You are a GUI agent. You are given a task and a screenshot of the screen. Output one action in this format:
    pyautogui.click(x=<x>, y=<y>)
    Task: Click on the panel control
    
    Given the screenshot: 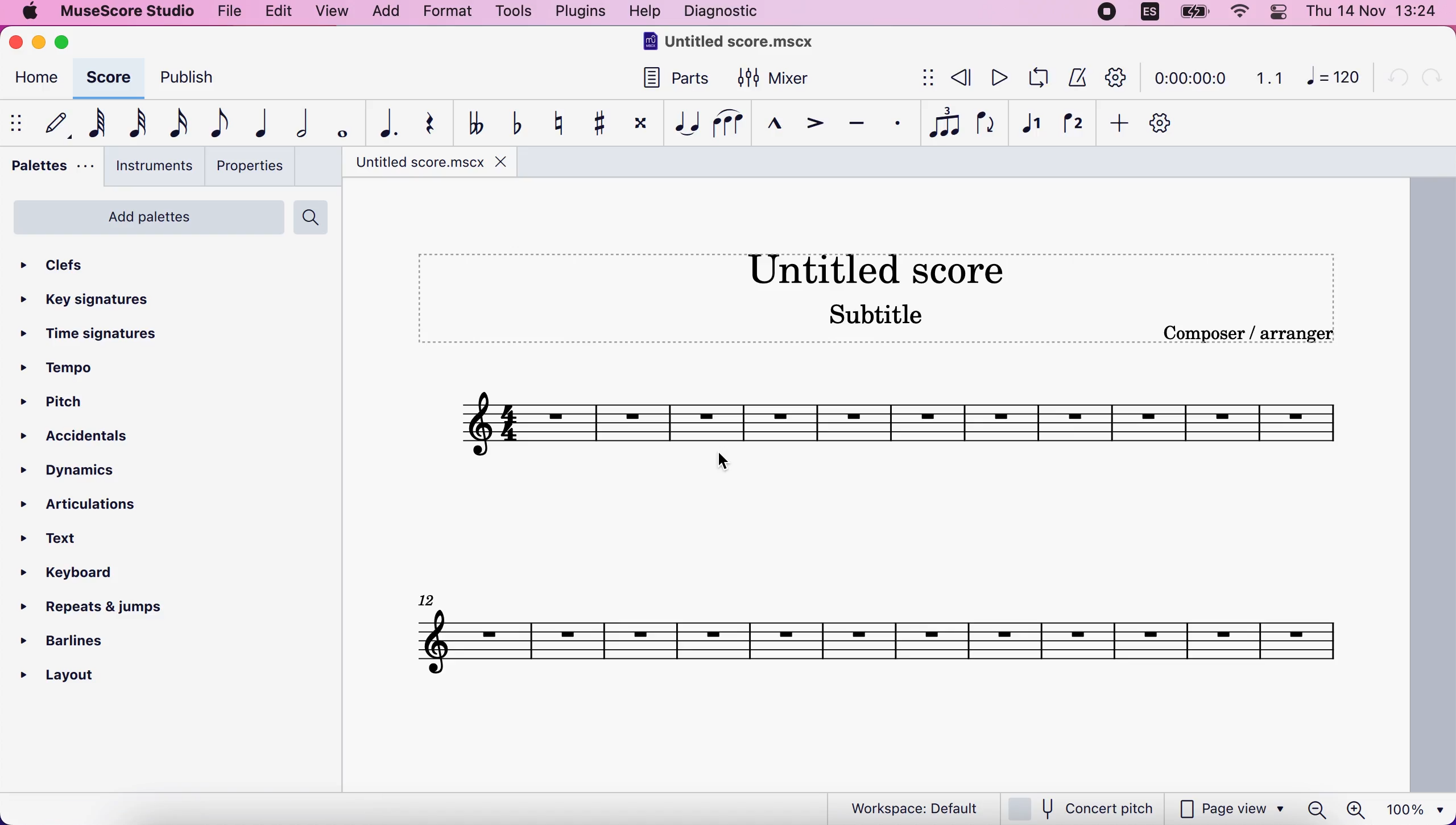 What is the action you would take?
    pyautogui.click(x=1277, y=14)
    